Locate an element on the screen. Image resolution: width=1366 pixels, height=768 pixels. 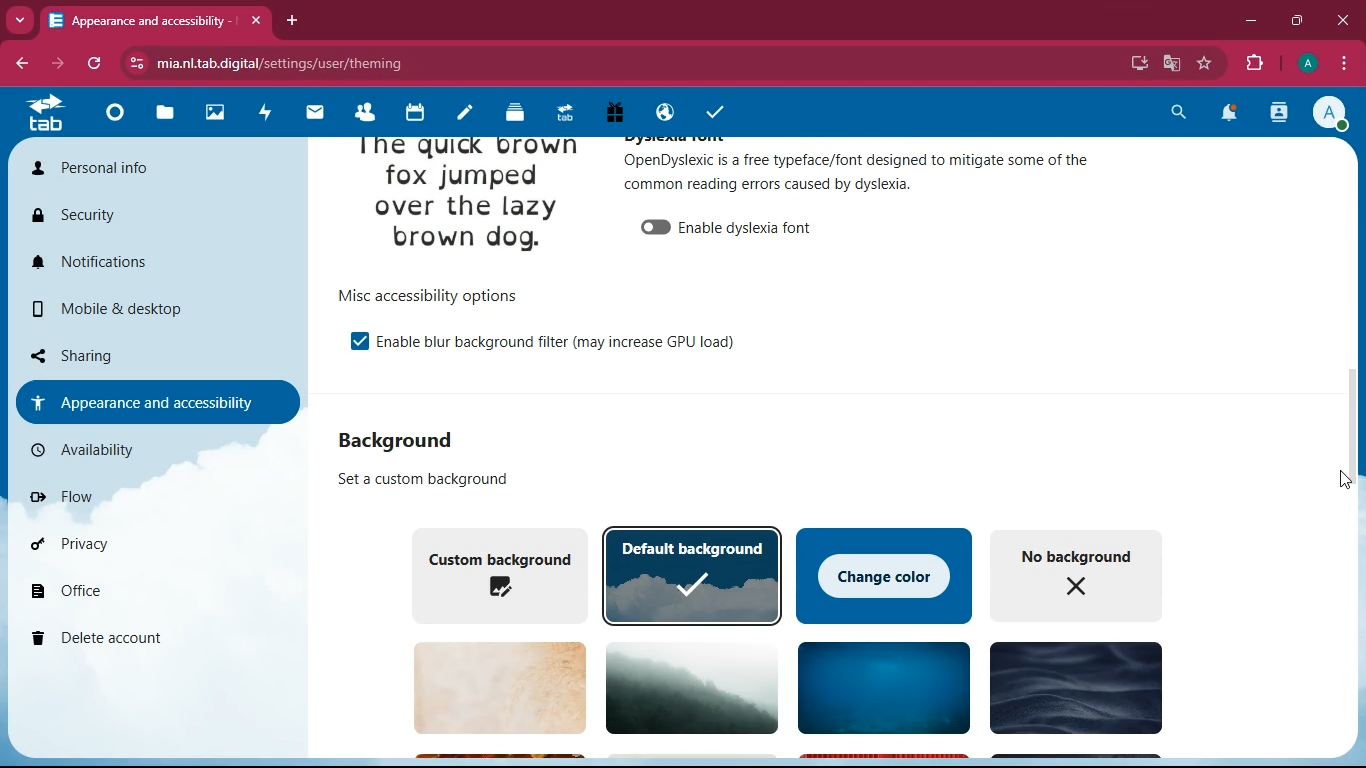
scroll bar is located at coordinates (1345, 415).